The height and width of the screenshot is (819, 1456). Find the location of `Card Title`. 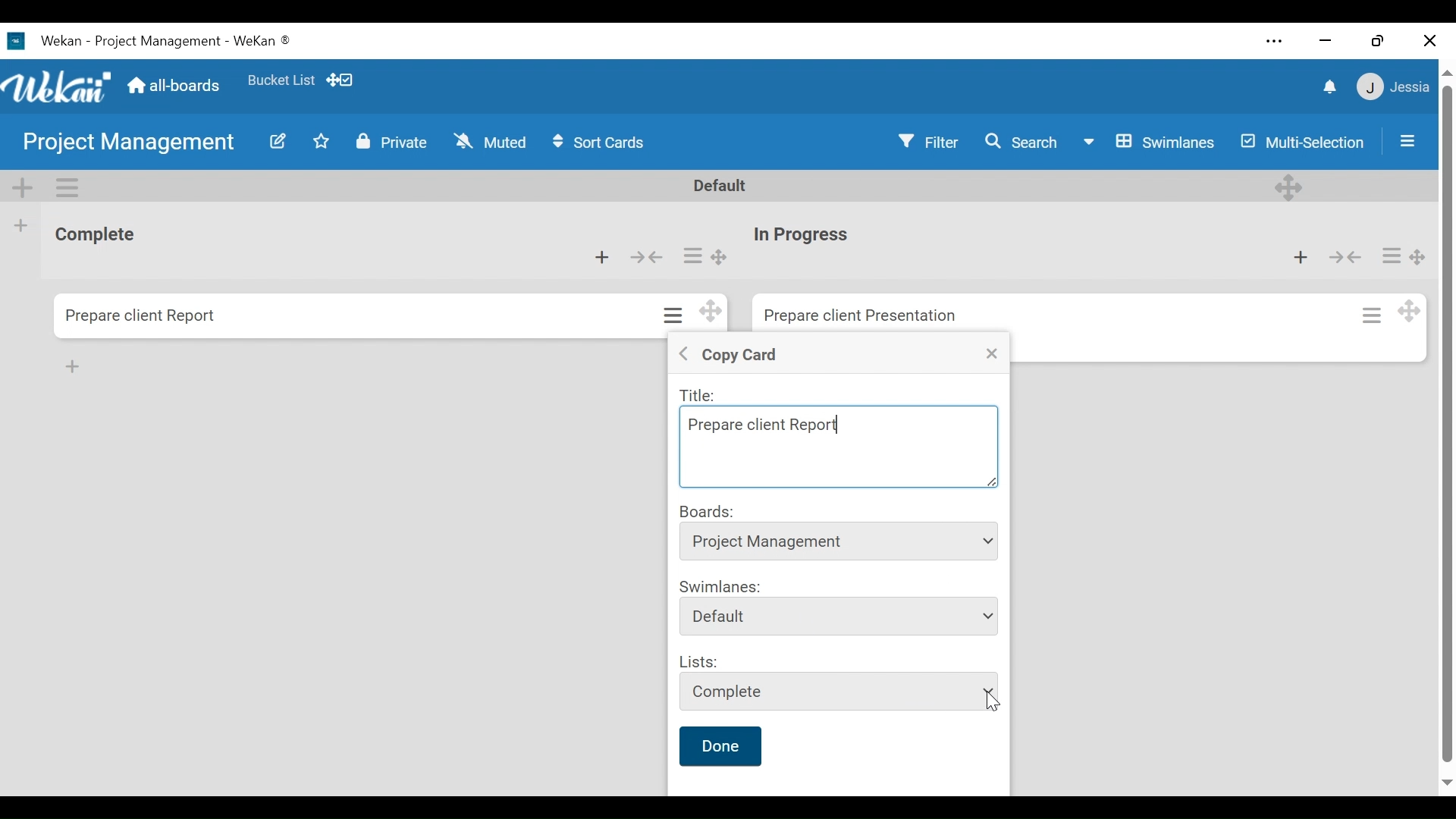

Card Title is located at coordinates (867, 315).